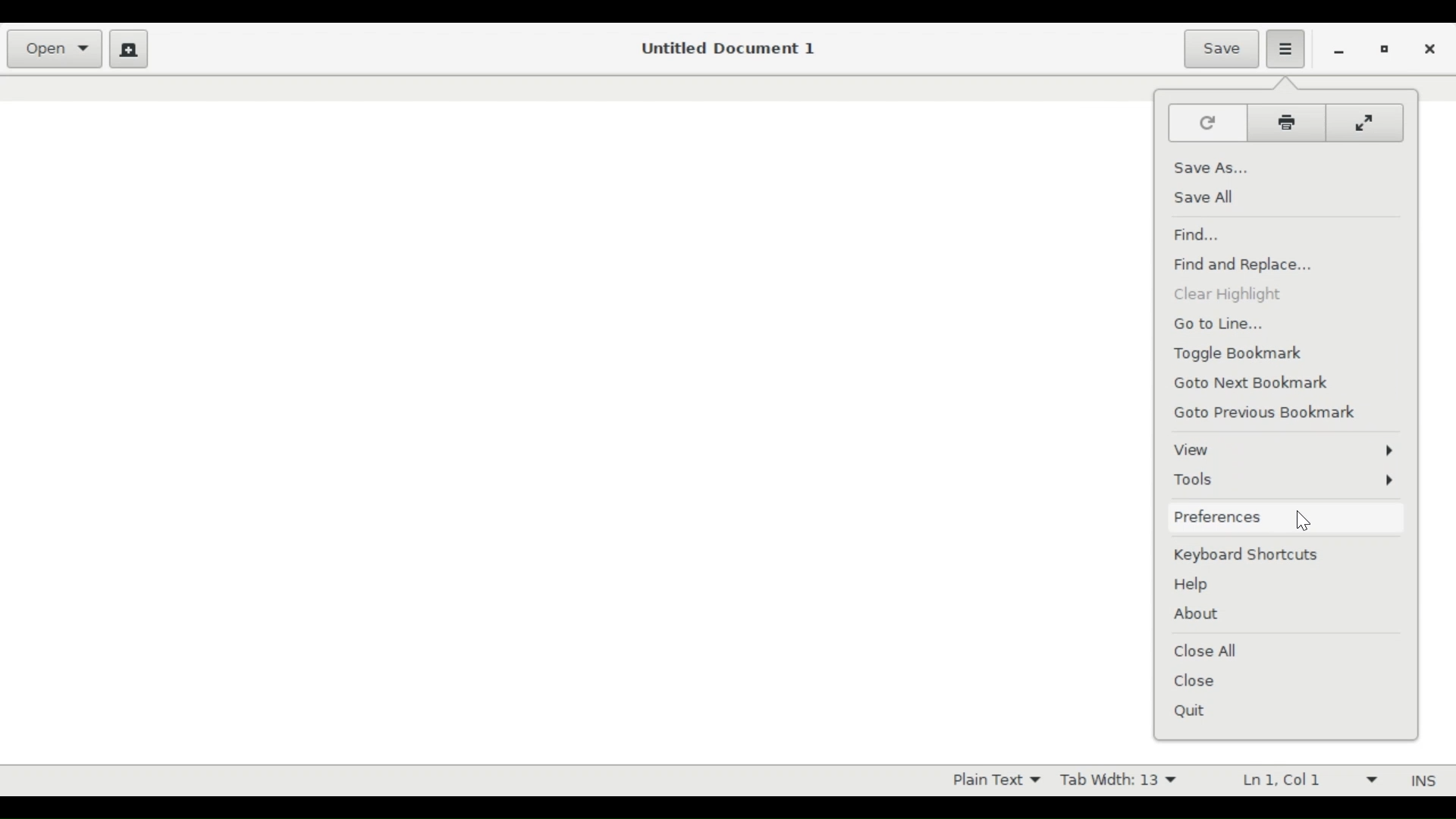 The height and width of the screenshot is (819, 1456). I want to click on Save as, so click(1211, 167).